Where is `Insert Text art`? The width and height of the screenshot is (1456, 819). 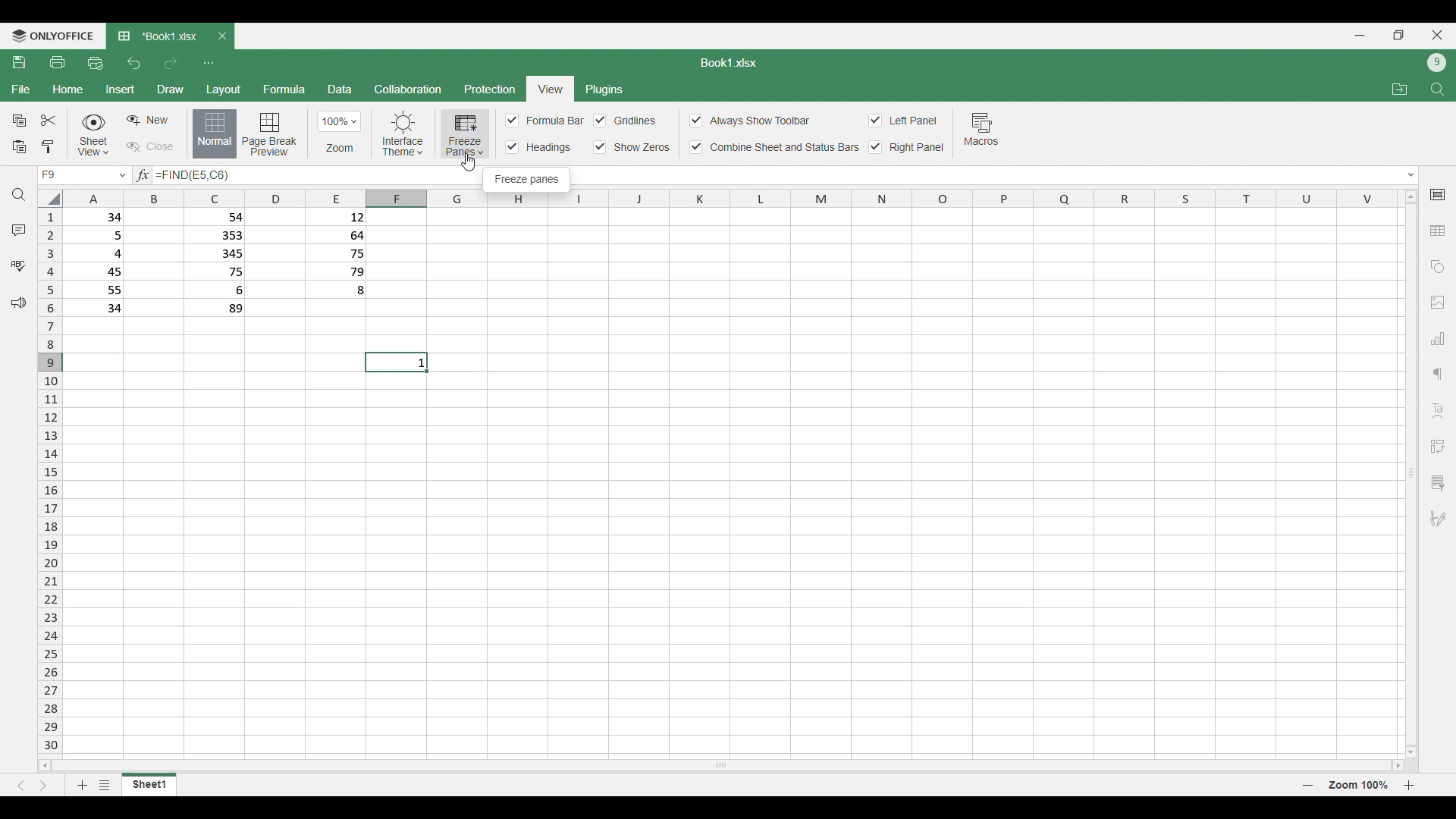
Insert Text art is located at coordinates (1438, 411).